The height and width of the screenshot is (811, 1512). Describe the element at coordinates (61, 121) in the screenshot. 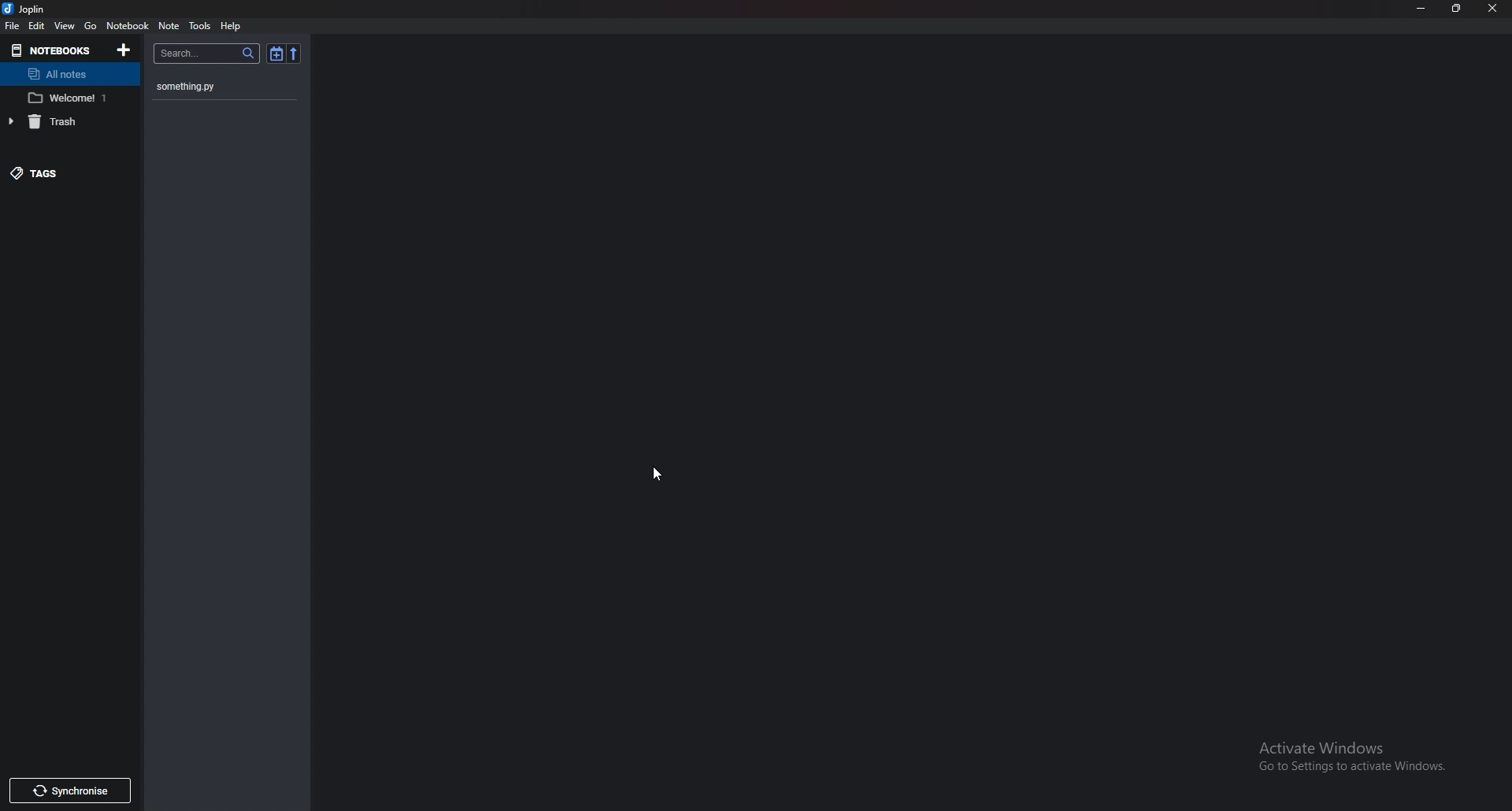

I see `trash` at that location.